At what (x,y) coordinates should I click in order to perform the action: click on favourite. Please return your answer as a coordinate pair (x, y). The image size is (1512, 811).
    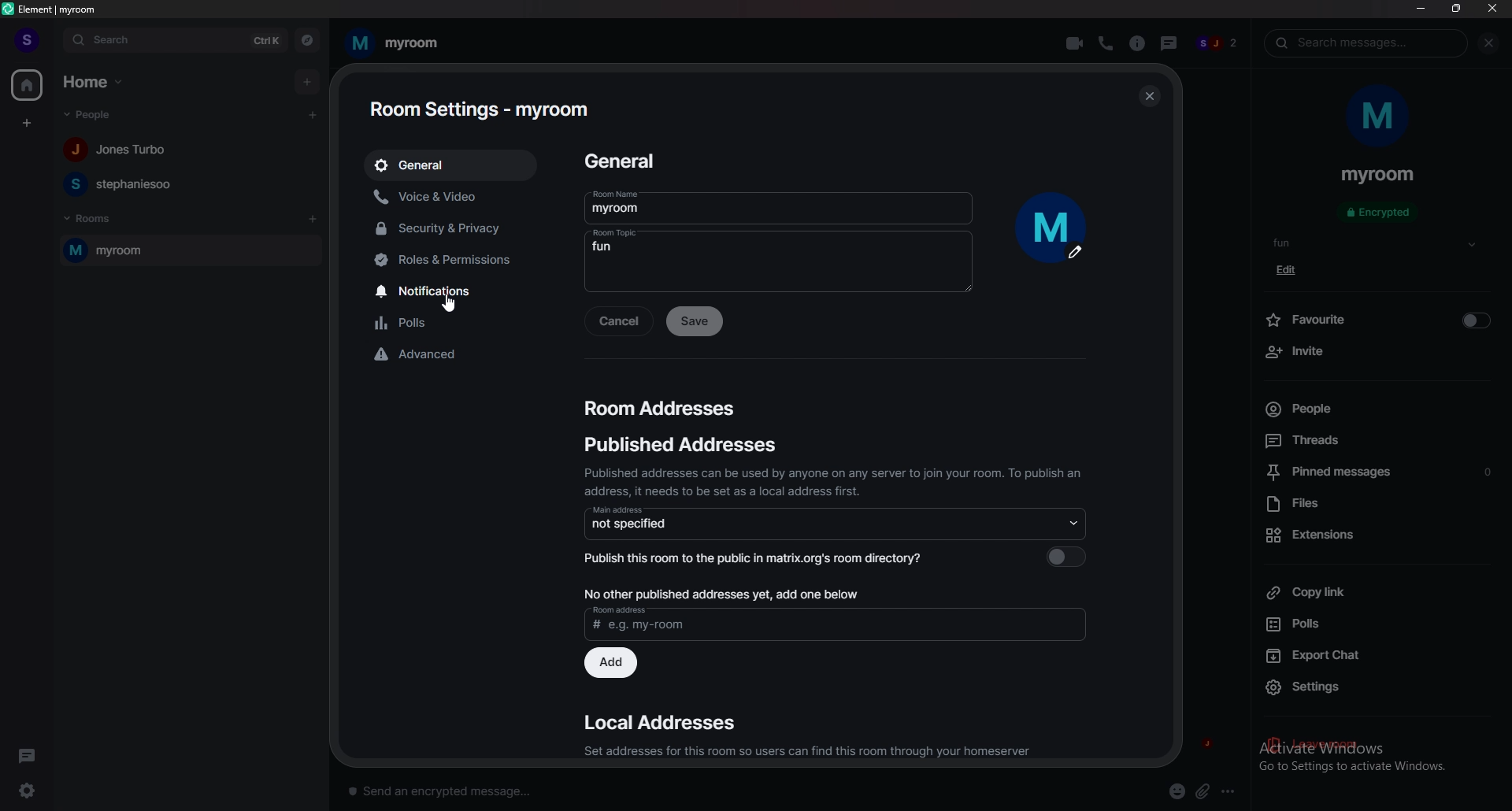
    Looking at the image, I should click on (1377, 318).